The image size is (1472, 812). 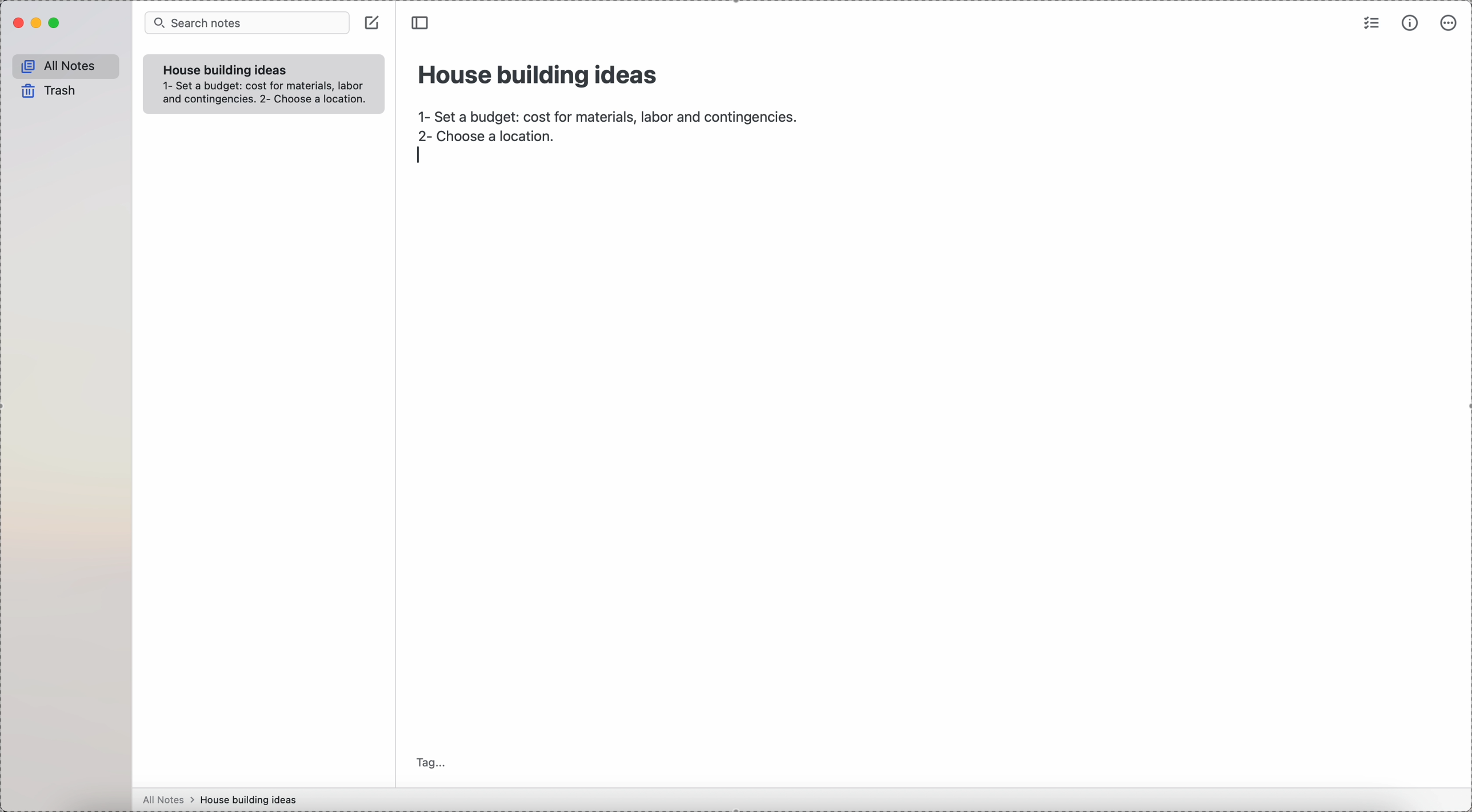 I want to click on more options, so click(x=1450, y=23).